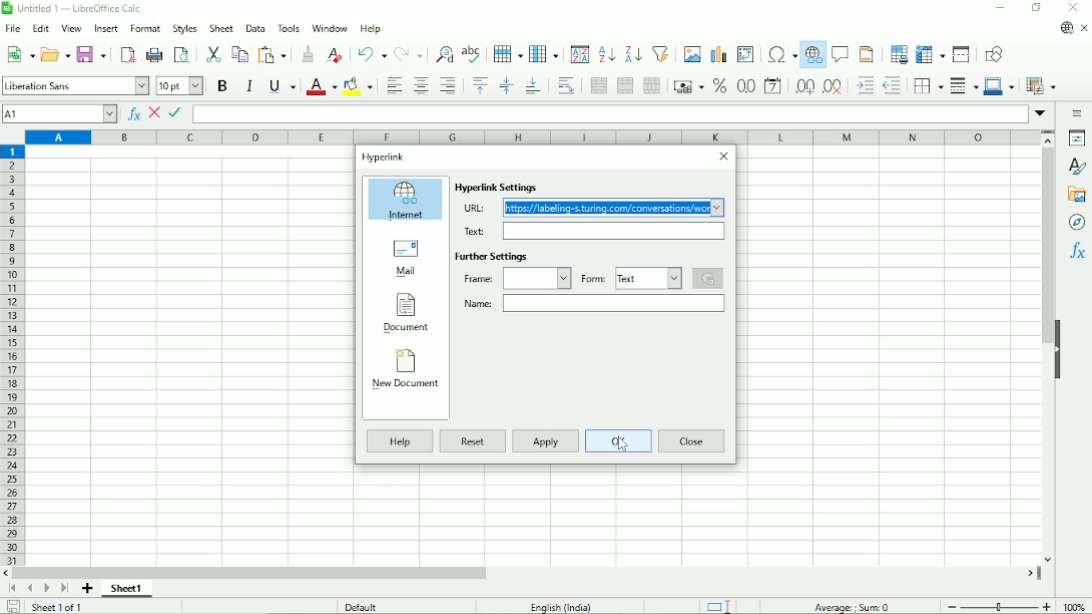  Describe the element at coordinates (866, 54) in the screenshot. I see `Headers and footers` at that location.